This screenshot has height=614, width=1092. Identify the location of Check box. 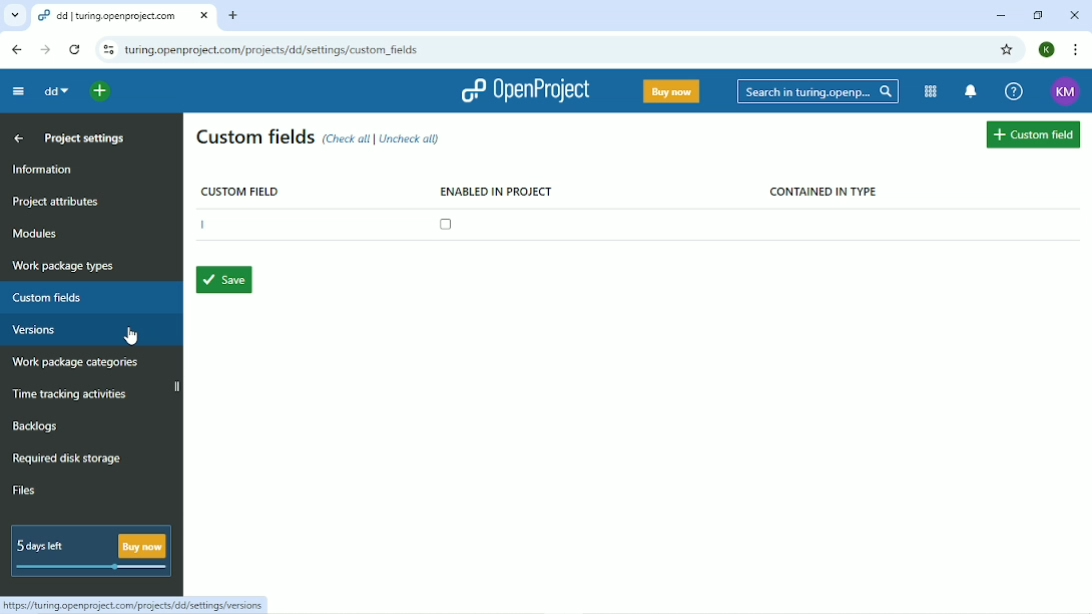
(449, 225).